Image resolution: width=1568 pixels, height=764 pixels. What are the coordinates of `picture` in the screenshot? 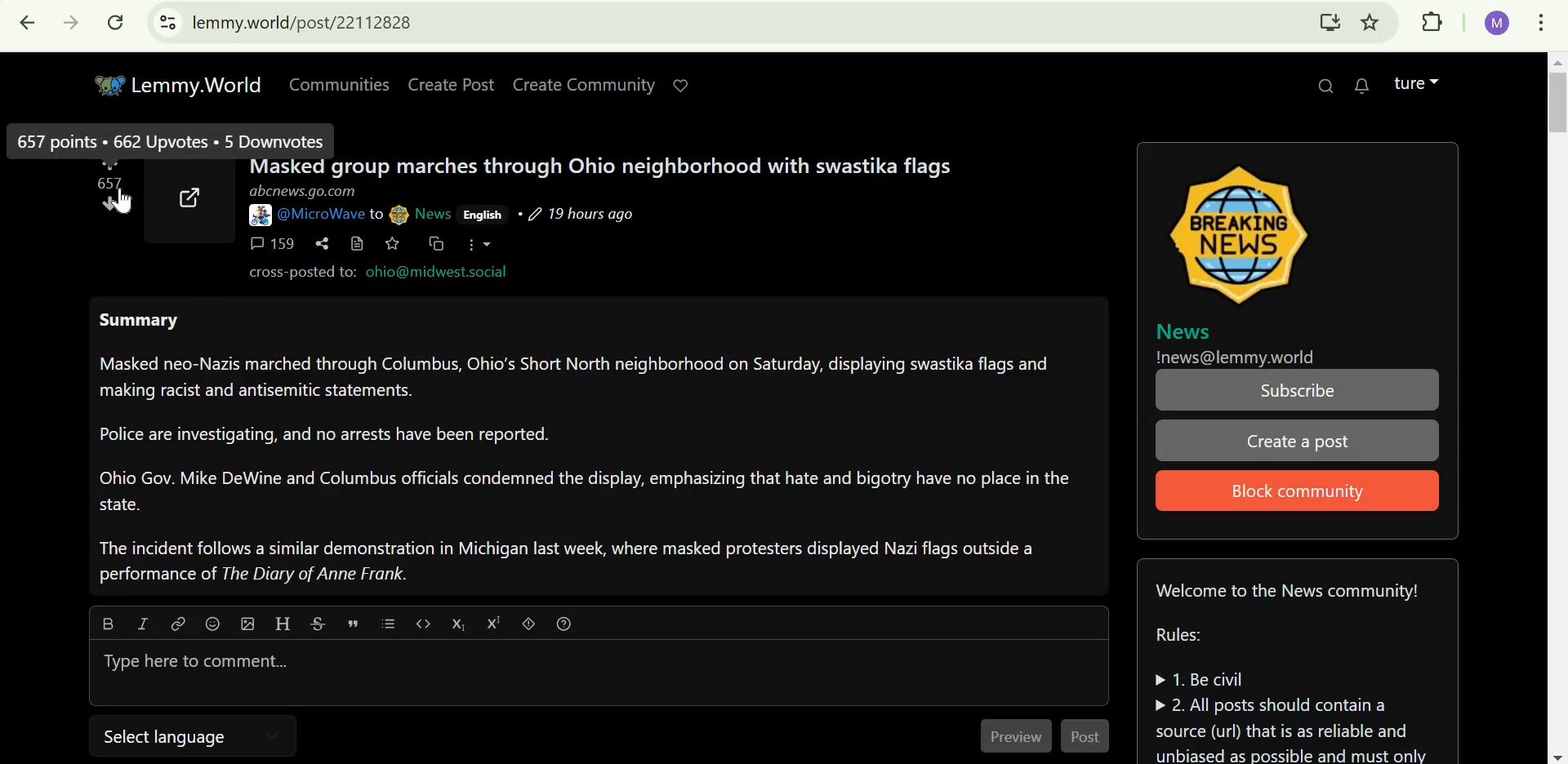 It's located at (399, 214).